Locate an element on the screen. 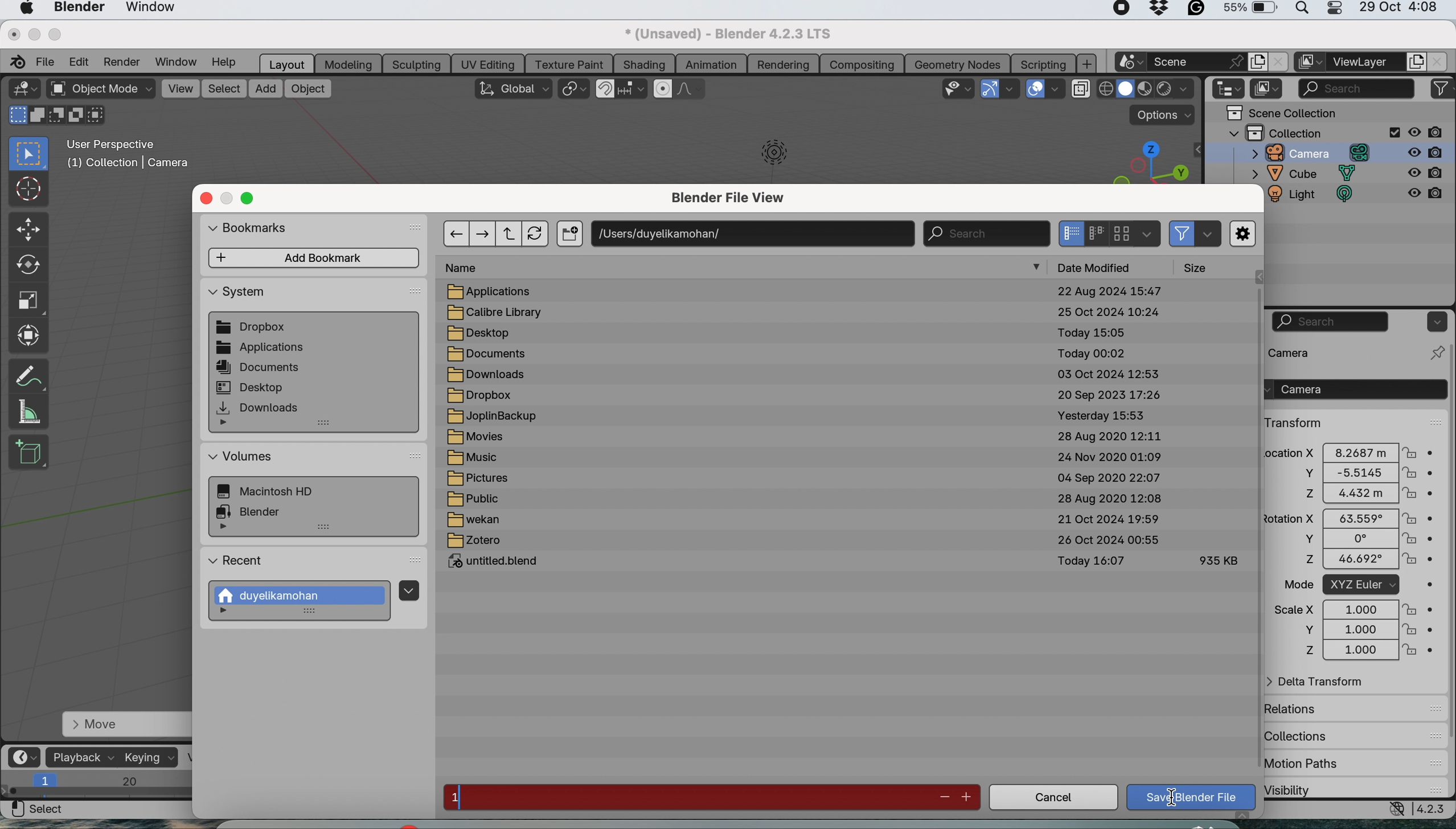 This screenshot has width=1456, height=829. more is located at coordinates (229, 425).